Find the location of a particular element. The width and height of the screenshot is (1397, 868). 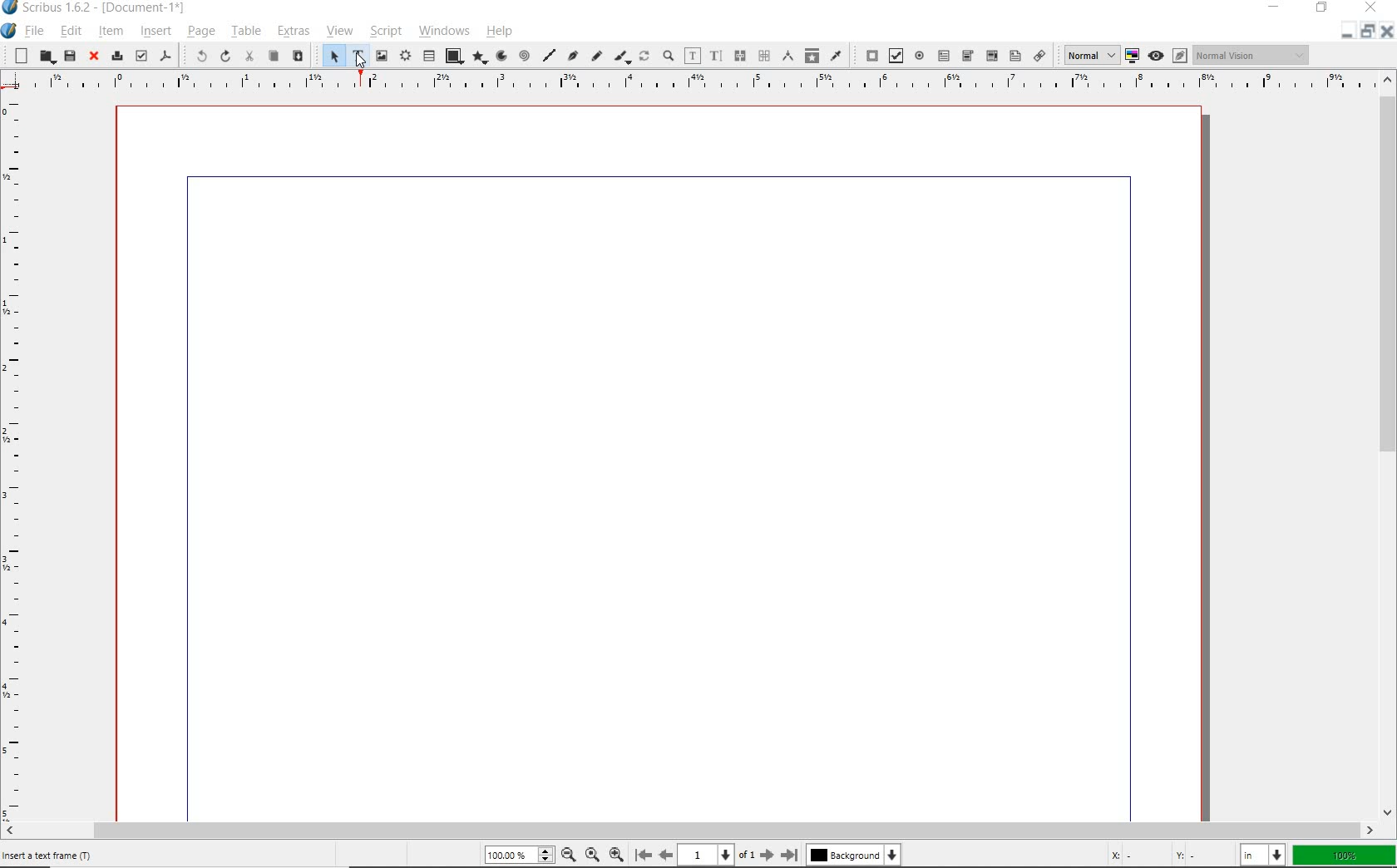

text frame is located at coordinates (355, 56).